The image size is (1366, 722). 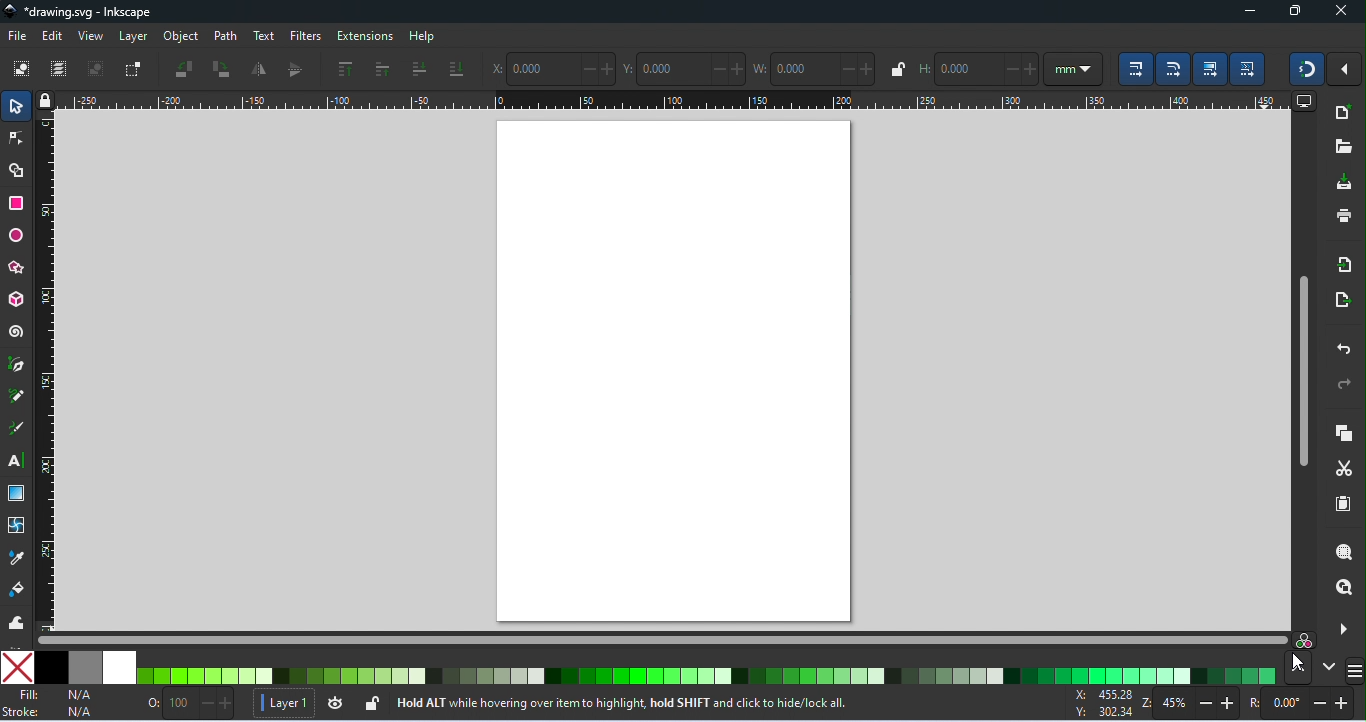 I want to click on height, so click(x=978, y=68).